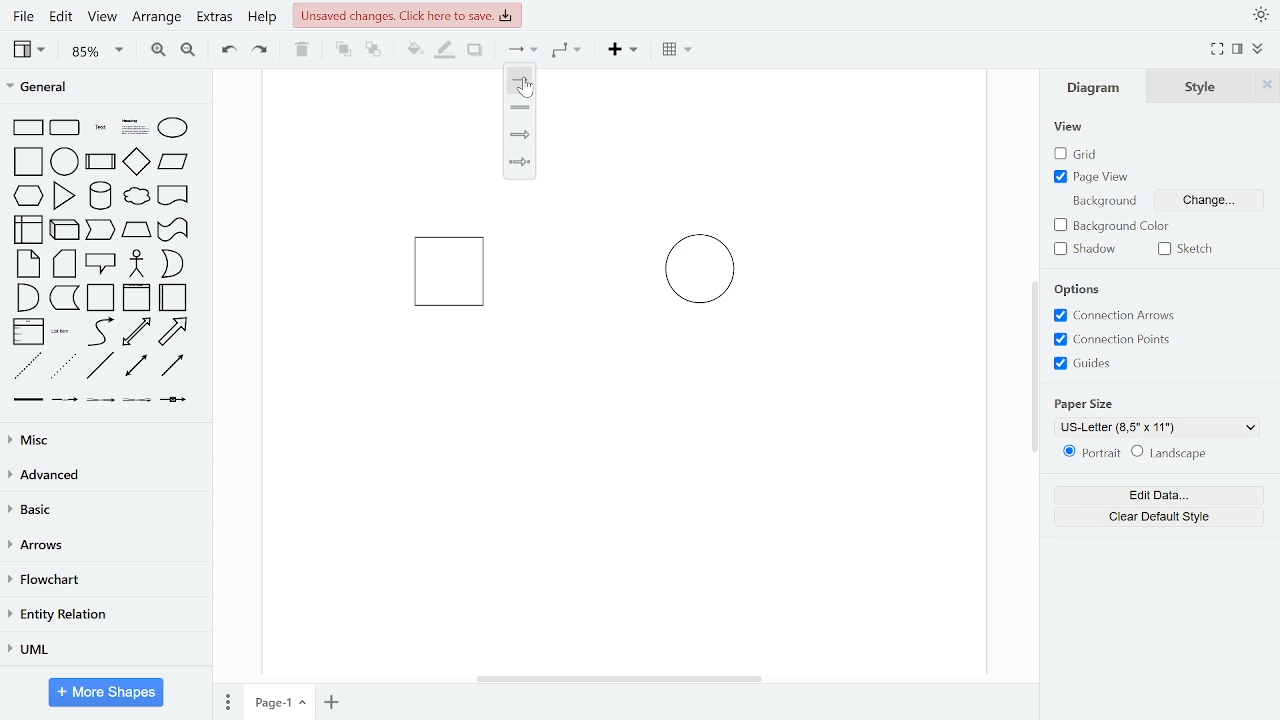 This screenshot has height=720, width=1280. I want to click on curve, so click(101, 331).